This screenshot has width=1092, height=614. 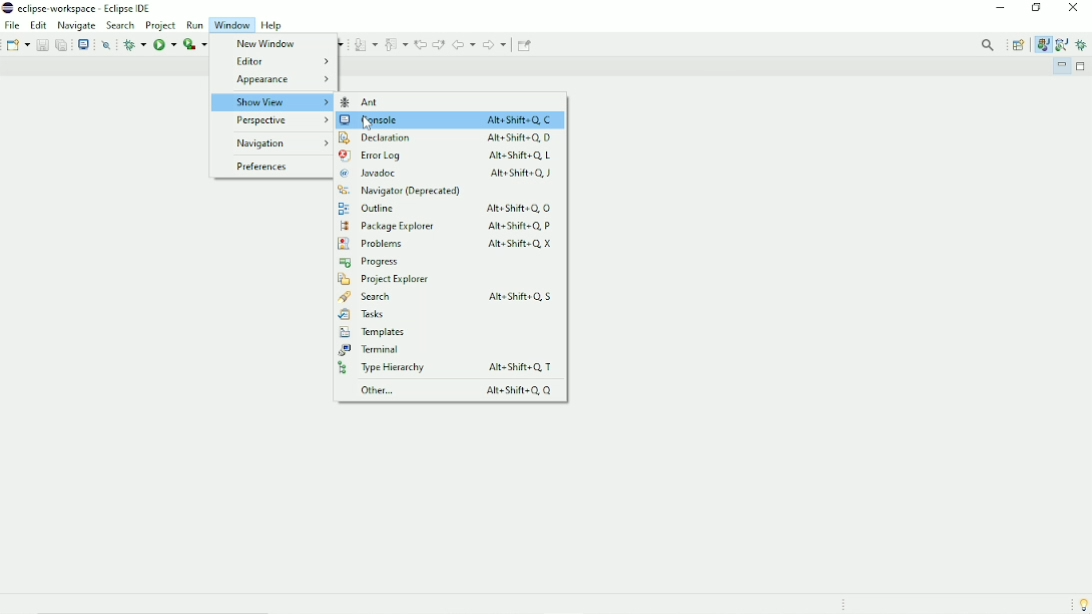 I want to click on Back, so click(x=464, y=45).